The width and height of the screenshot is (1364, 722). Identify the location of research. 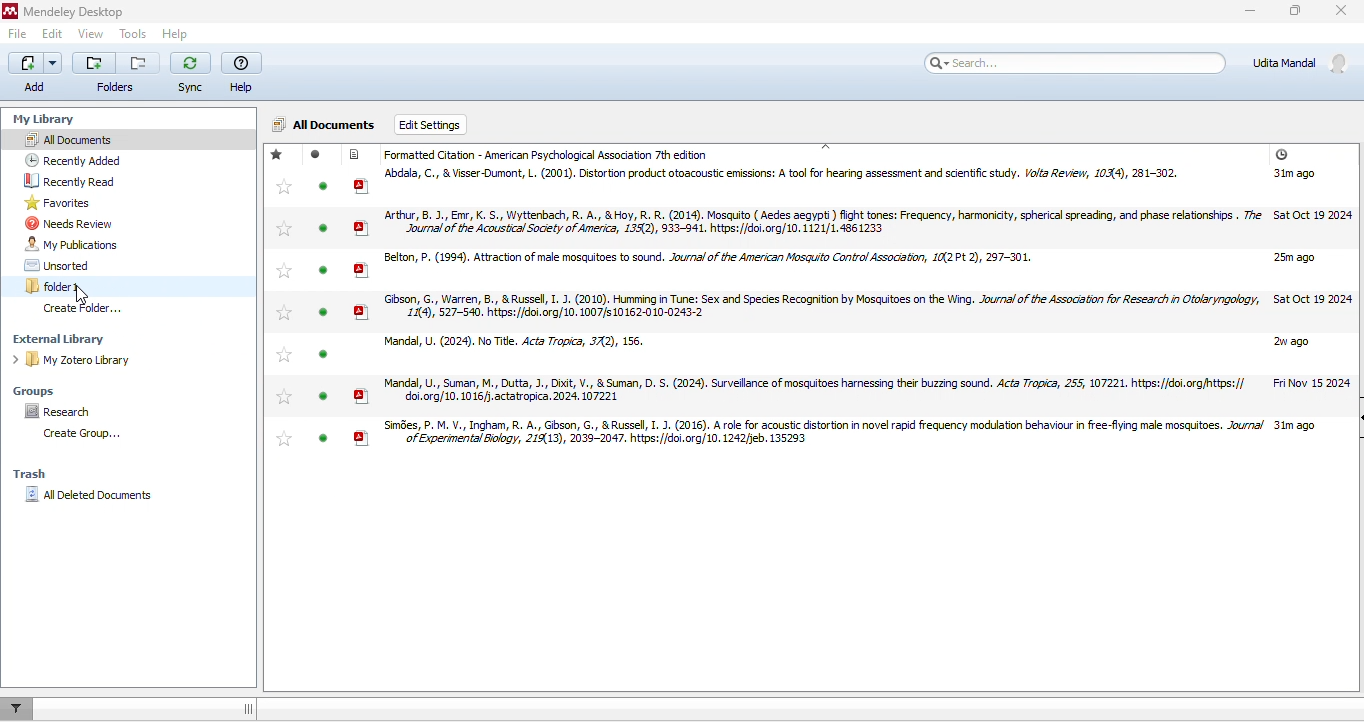
(83, 414).